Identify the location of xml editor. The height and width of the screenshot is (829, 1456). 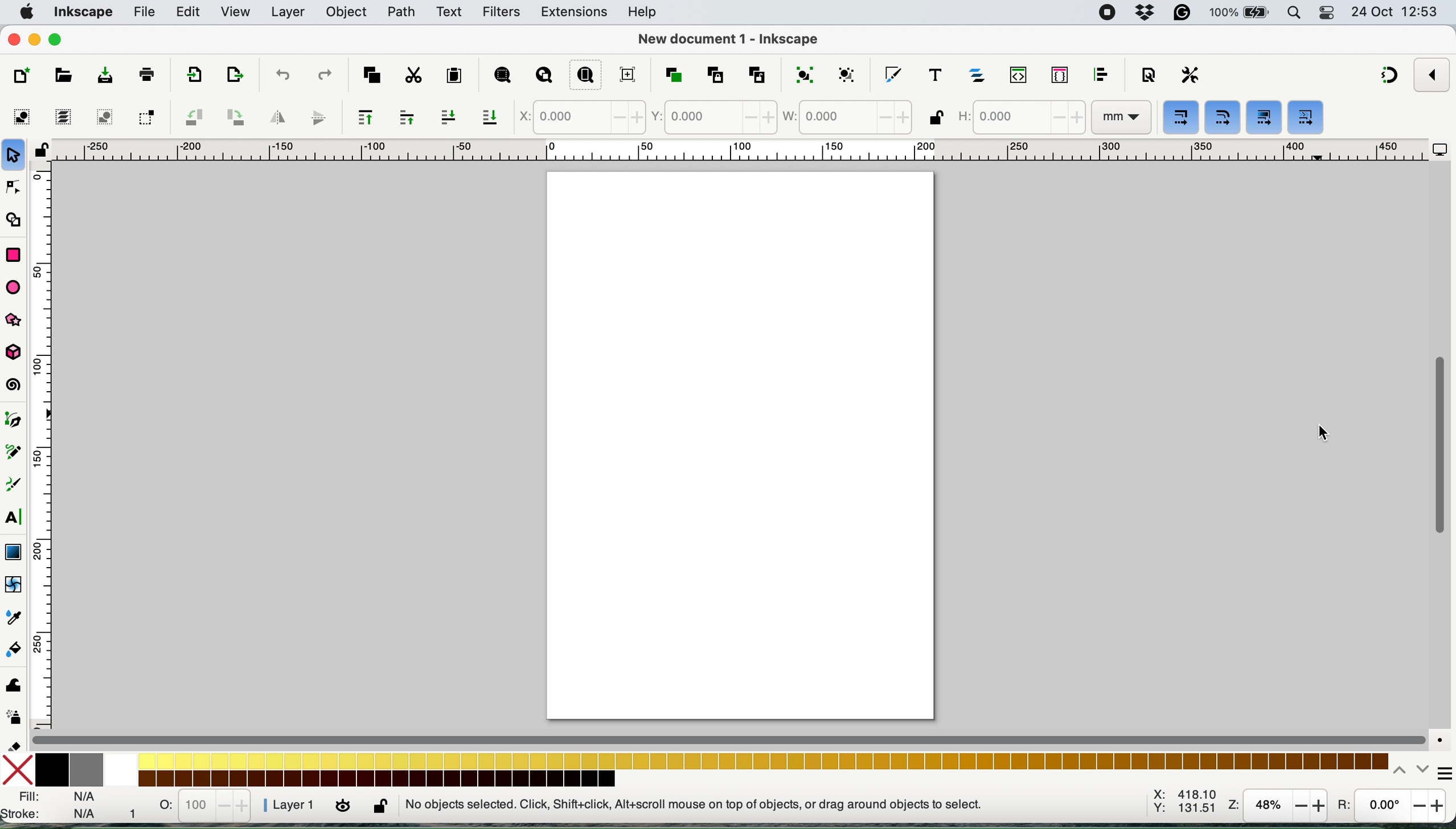
(1023, 75).